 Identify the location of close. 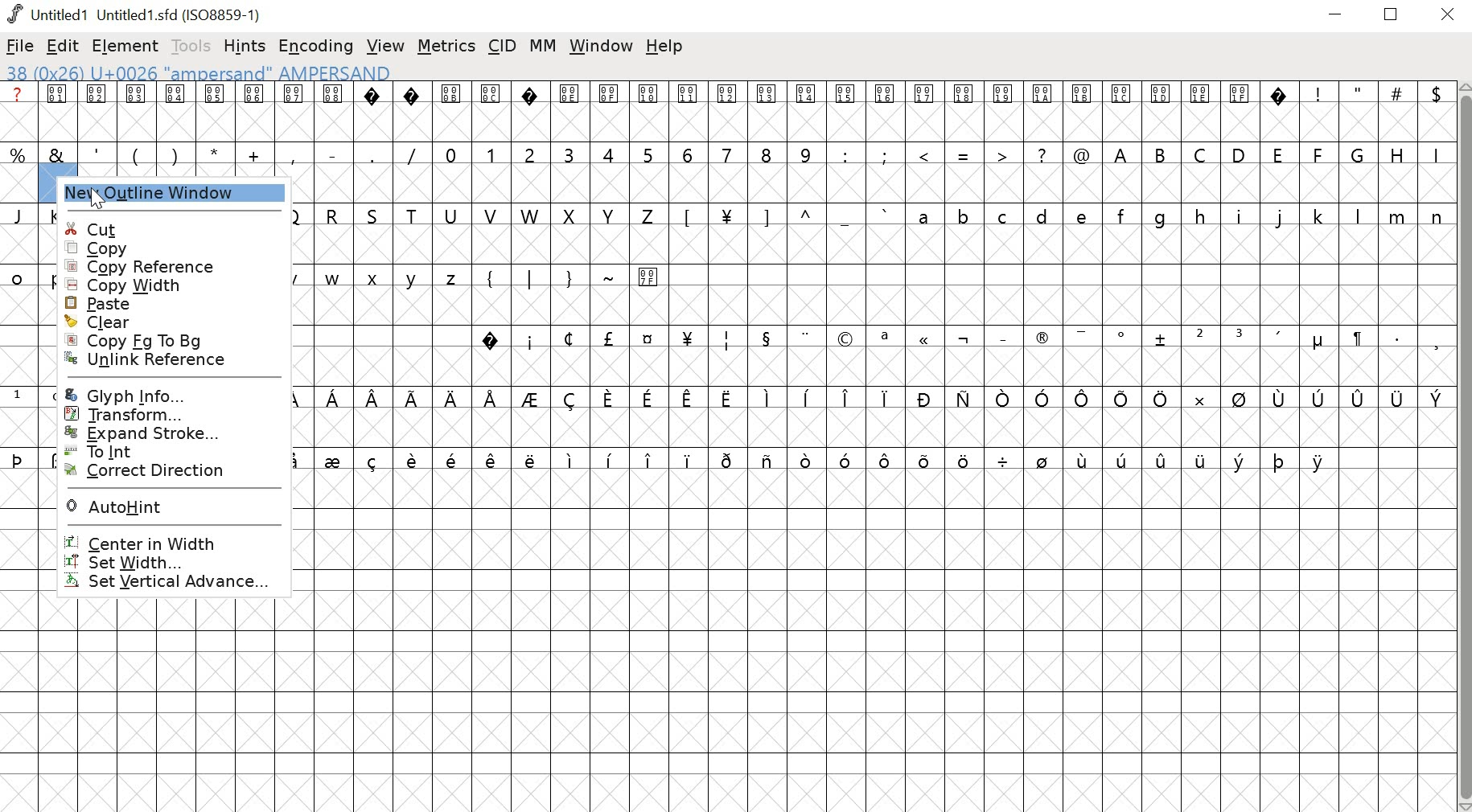
(1450, 15).